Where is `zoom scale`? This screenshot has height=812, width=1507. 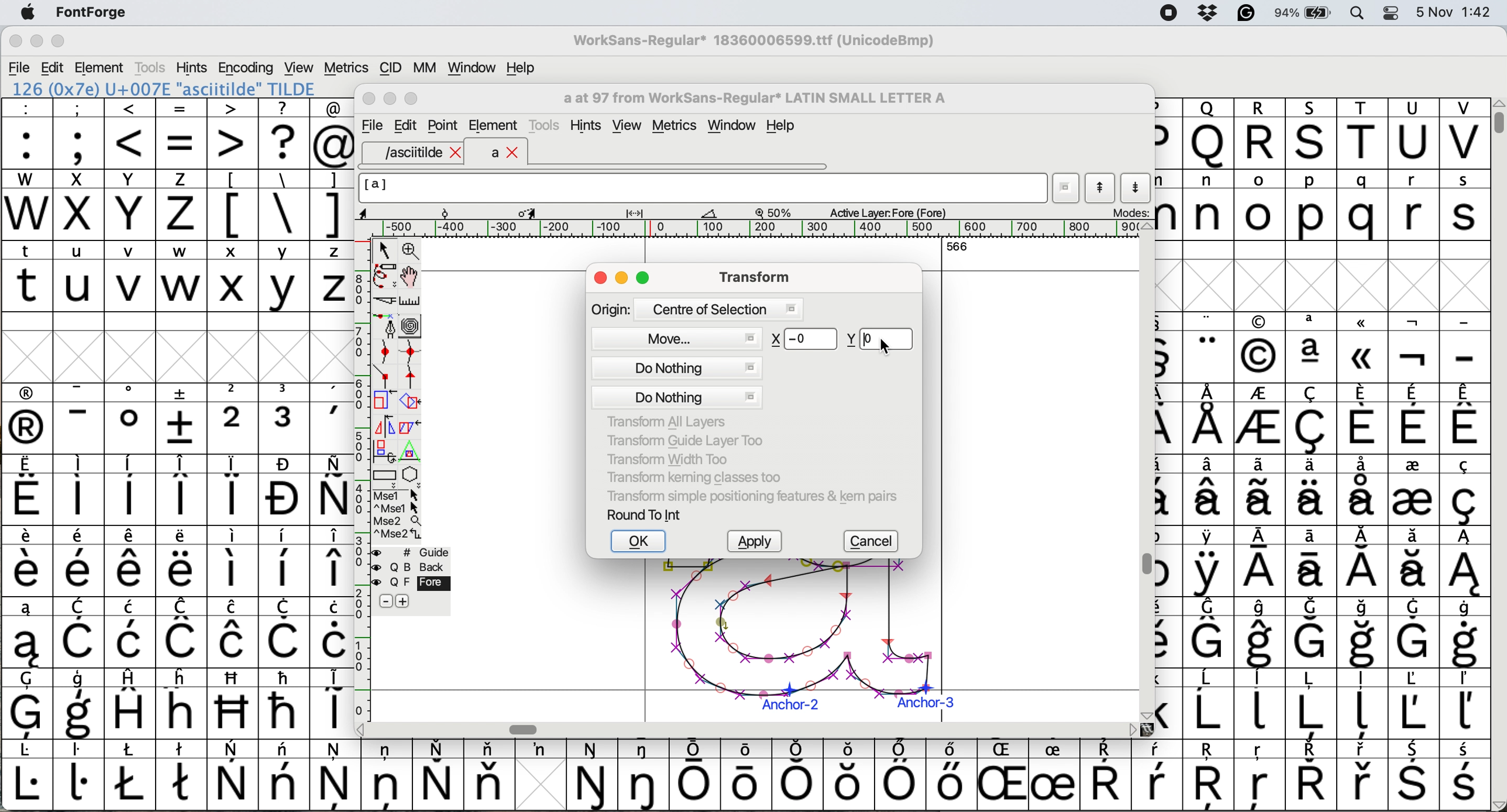 zoom scale is located at coordinates (777, 212).